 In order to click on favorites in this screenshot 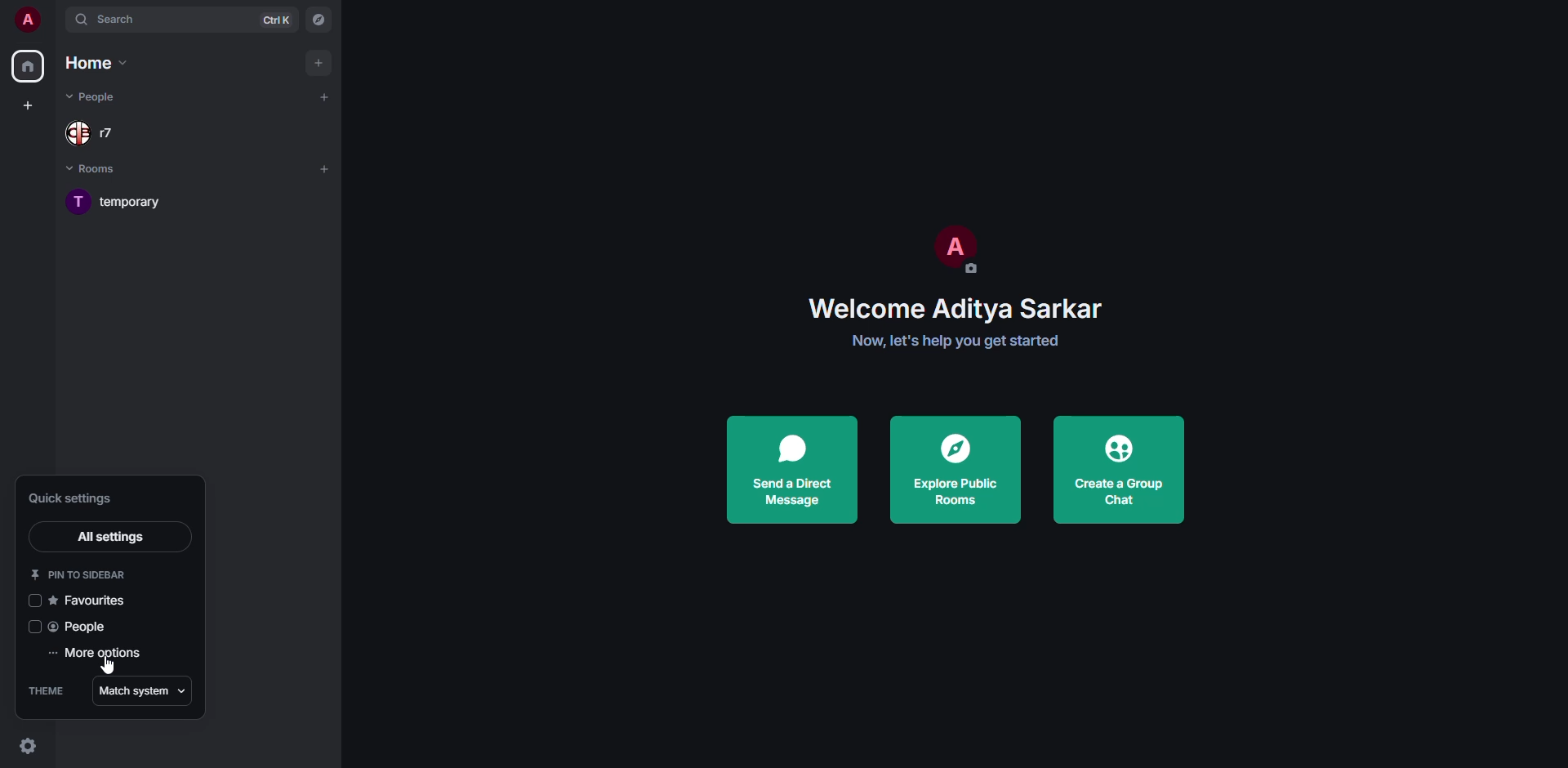, I will do `click(96, 602)`.